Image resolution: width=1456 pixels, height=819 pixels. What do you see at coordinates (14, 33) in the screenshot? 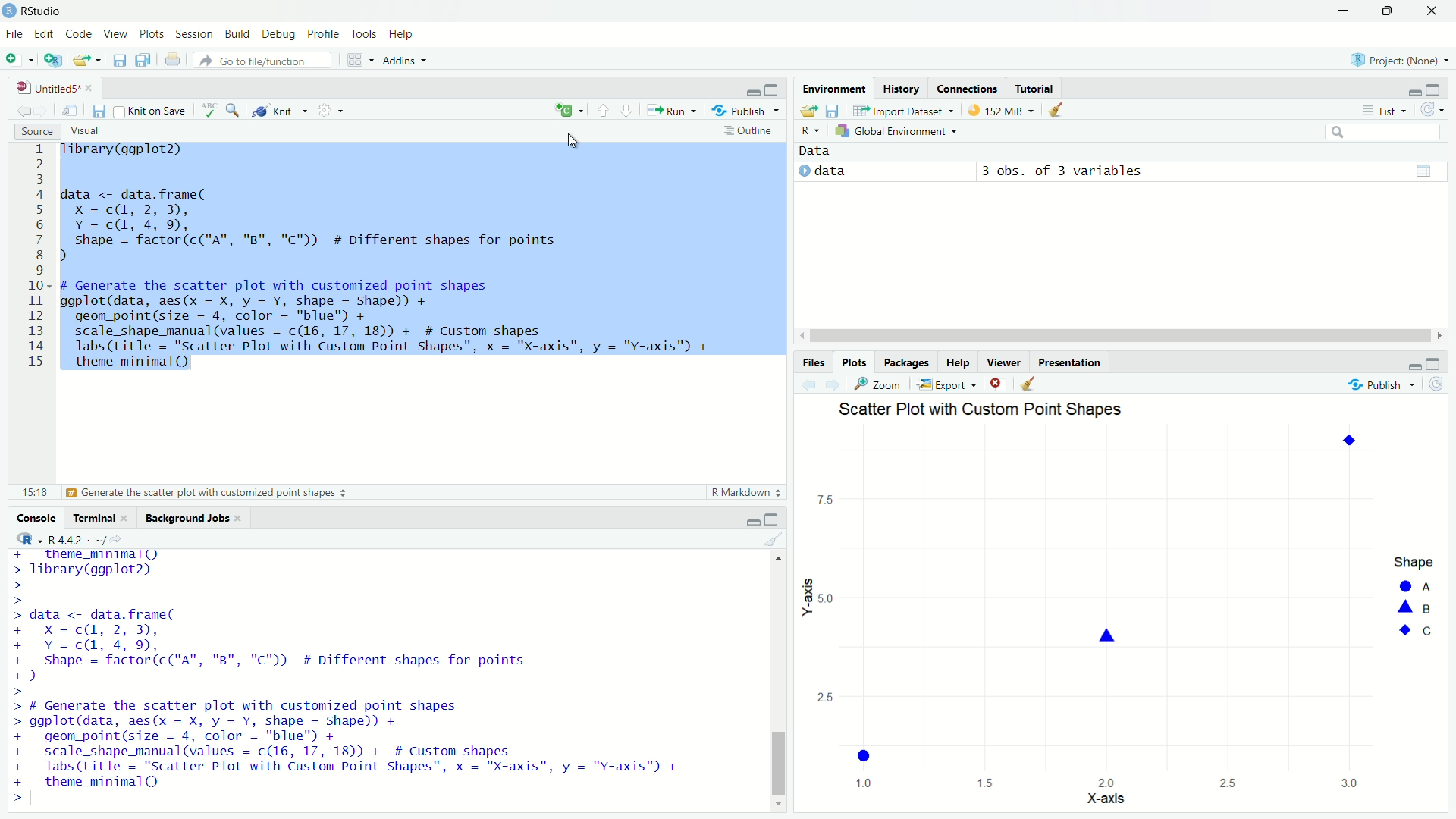
I see `File` at bounding box center [14, 33].